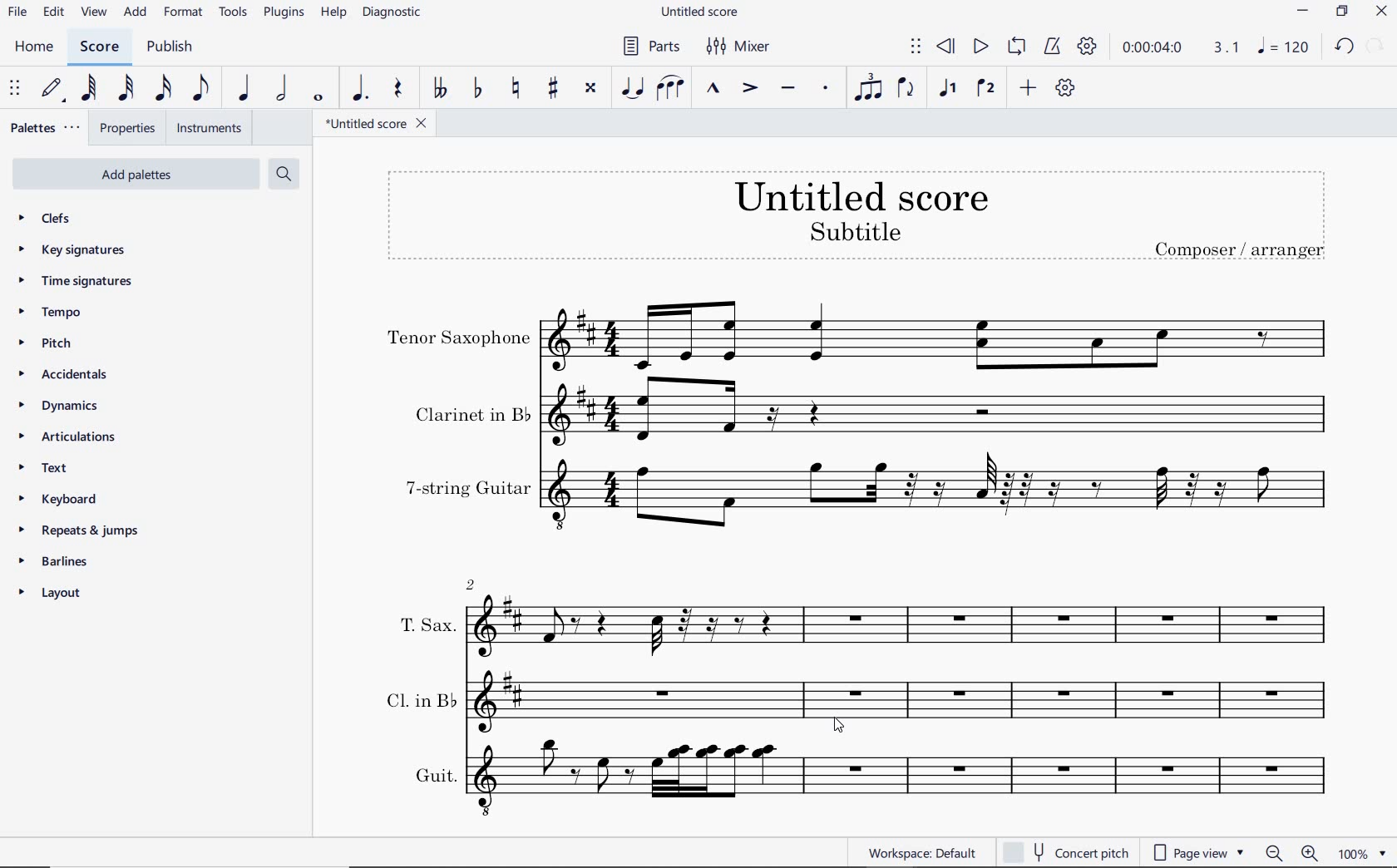 Image resolution: width=1397 pixels, height=868 pixels. I want to click on 32ND NOTE, so click(126, 89).